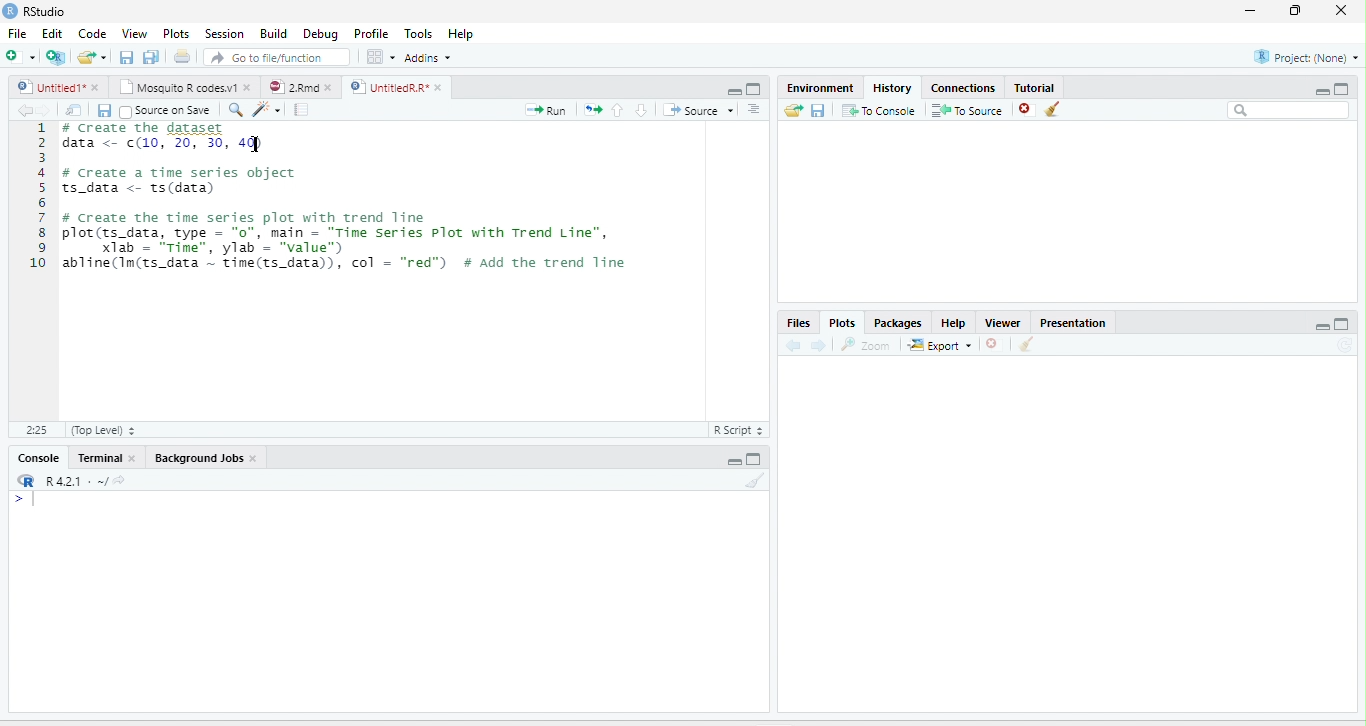  What do you see at coordinates (438, 87) in the screenshot?
I see `close` at bounding box center [438, 87].